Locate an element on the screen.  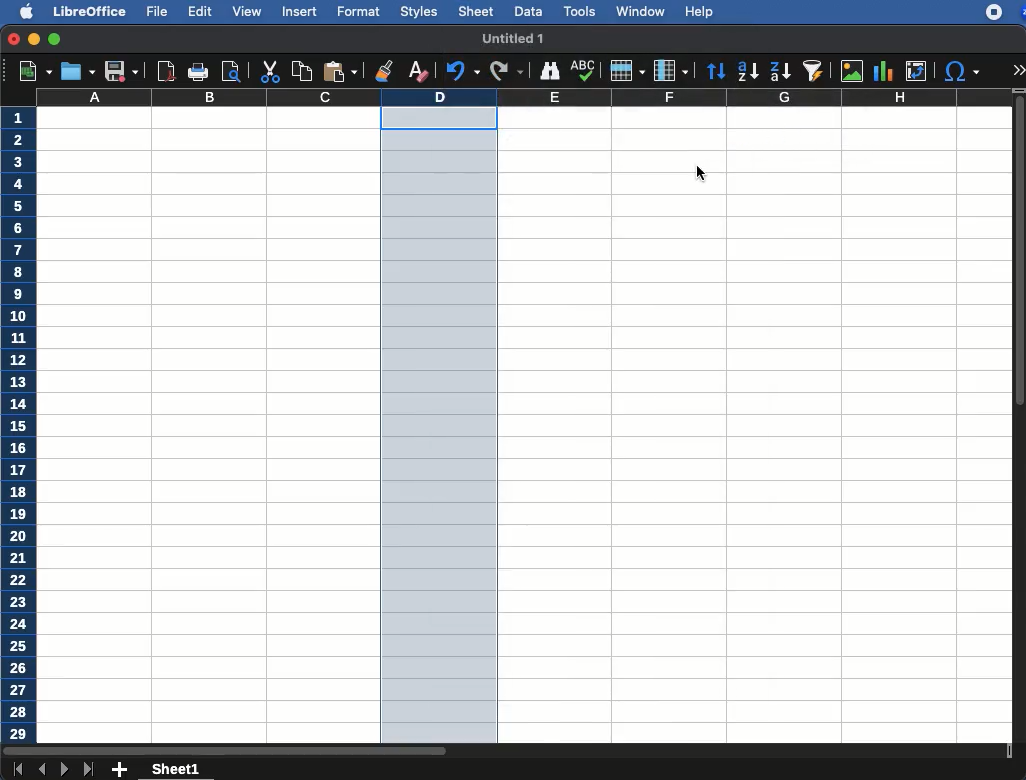
next sheet is located at coordinates (63, 771).